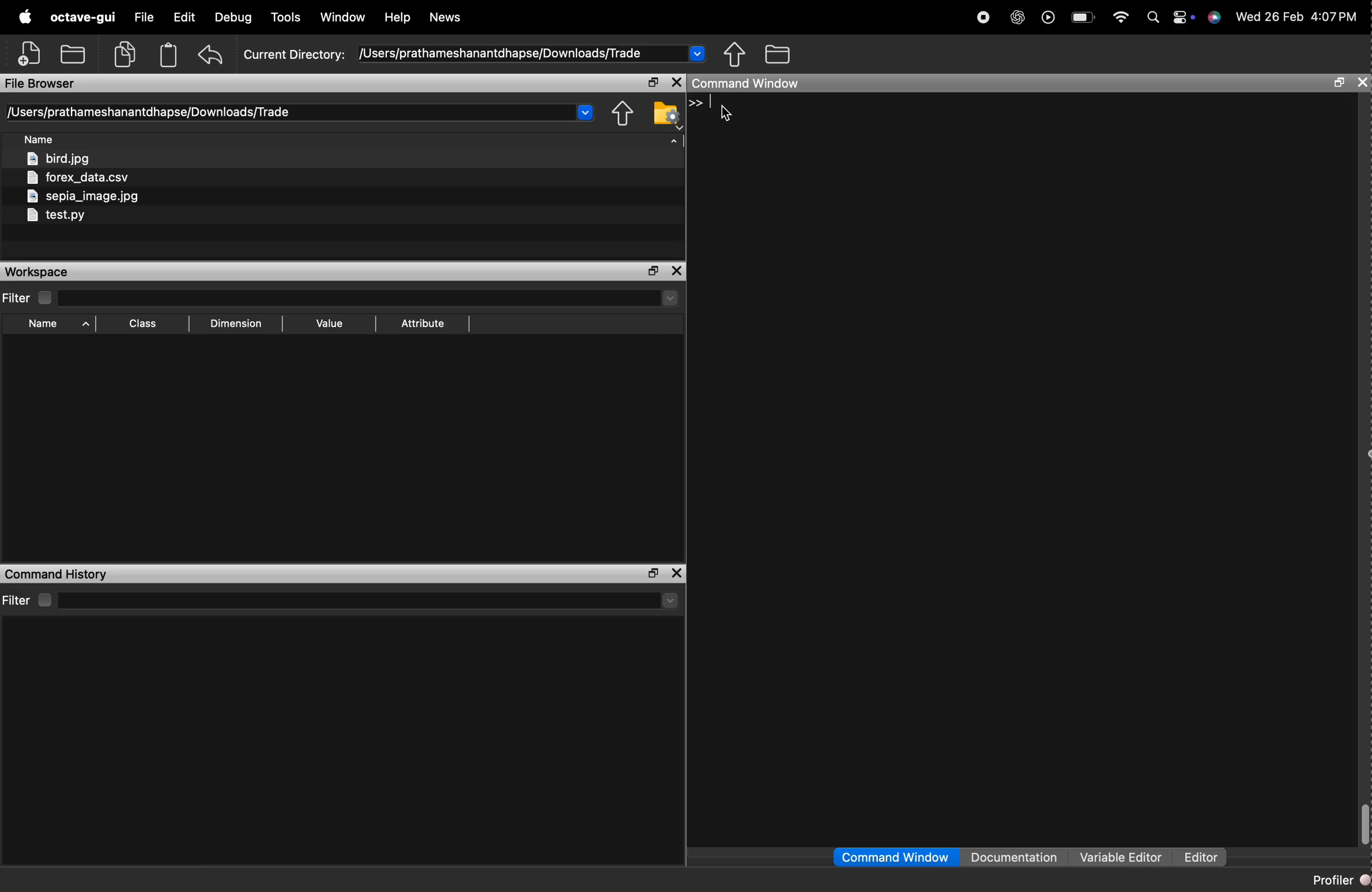 The width and height of the screenshot is (1372, 892). I want to click on Dimension, so click(239, 322).